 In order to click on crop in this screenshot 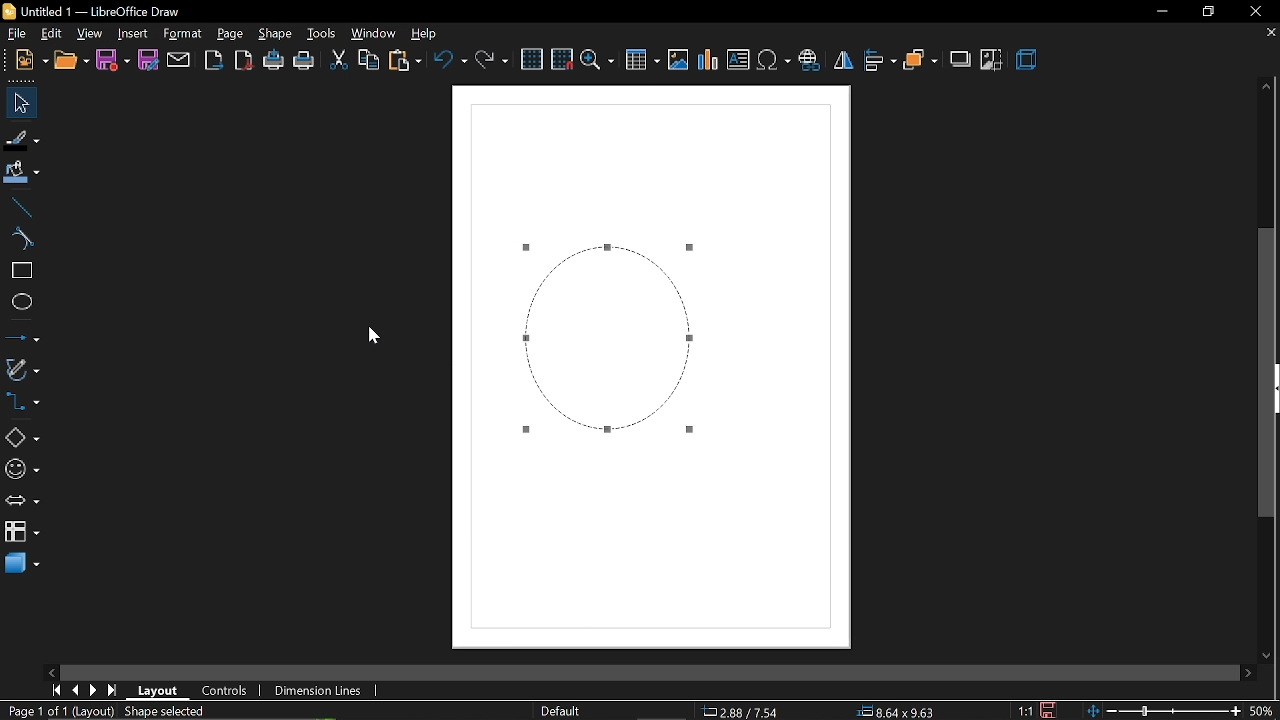, I will do `click(991, 59)`.